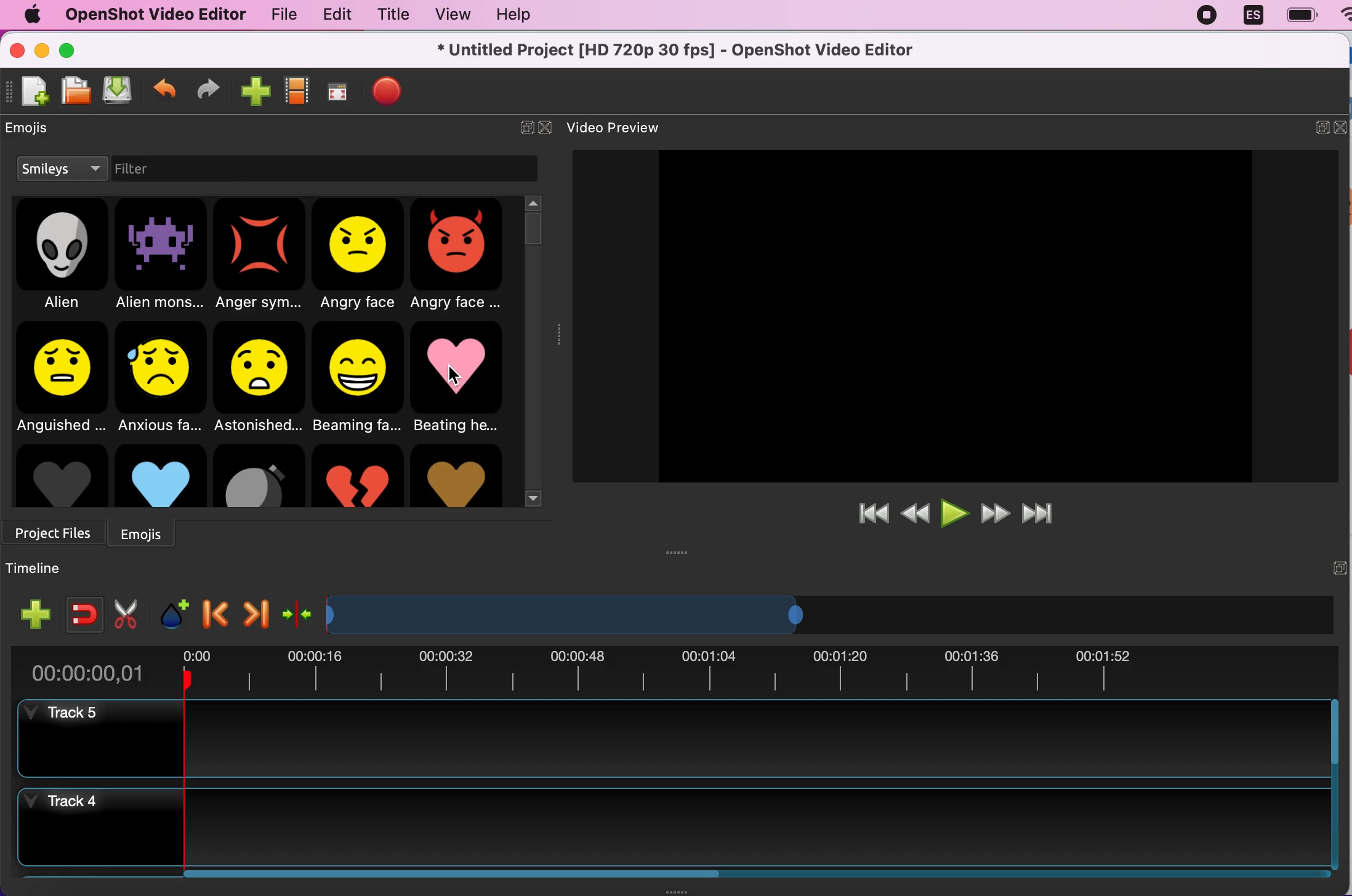 This screenshot has width=1352, height=896. I want to click on title, so click(388, 15).